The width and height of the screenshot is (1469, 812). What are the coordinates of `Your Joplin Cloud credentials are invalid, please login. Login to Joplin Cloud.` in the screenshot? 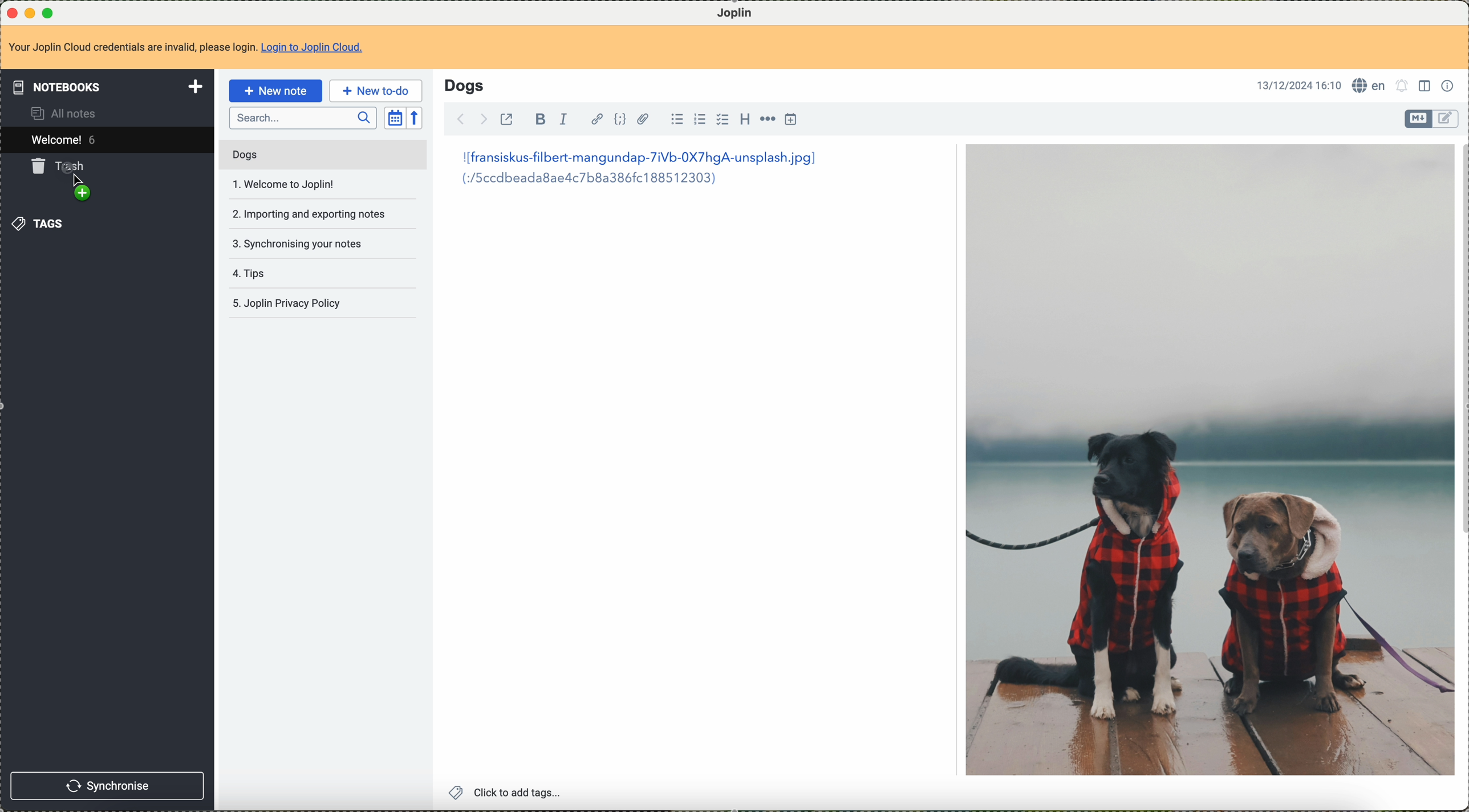 It's located at (197, 47).